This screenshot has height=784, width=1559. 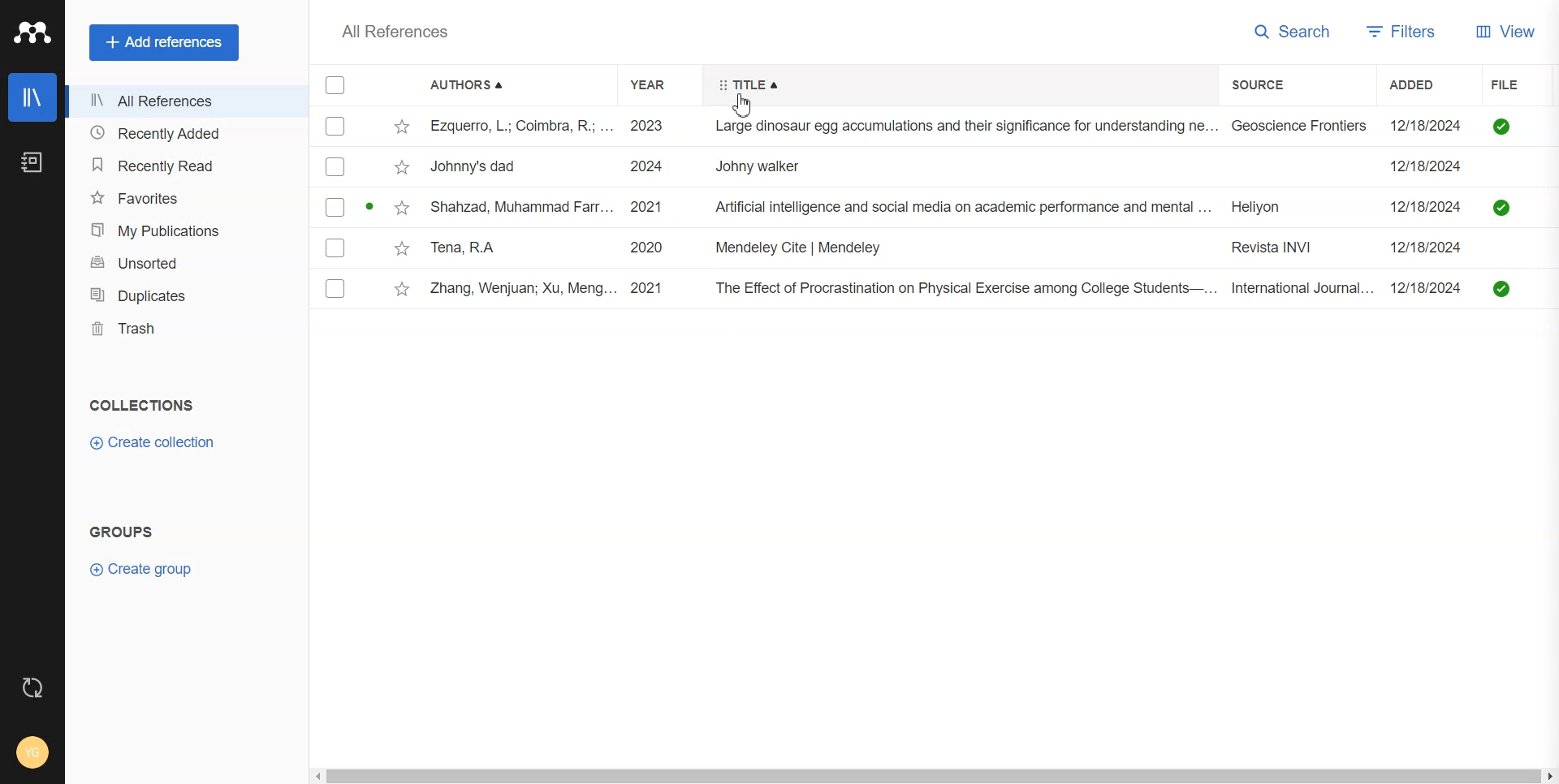 I want to click on File, so click(x=995, y=289).